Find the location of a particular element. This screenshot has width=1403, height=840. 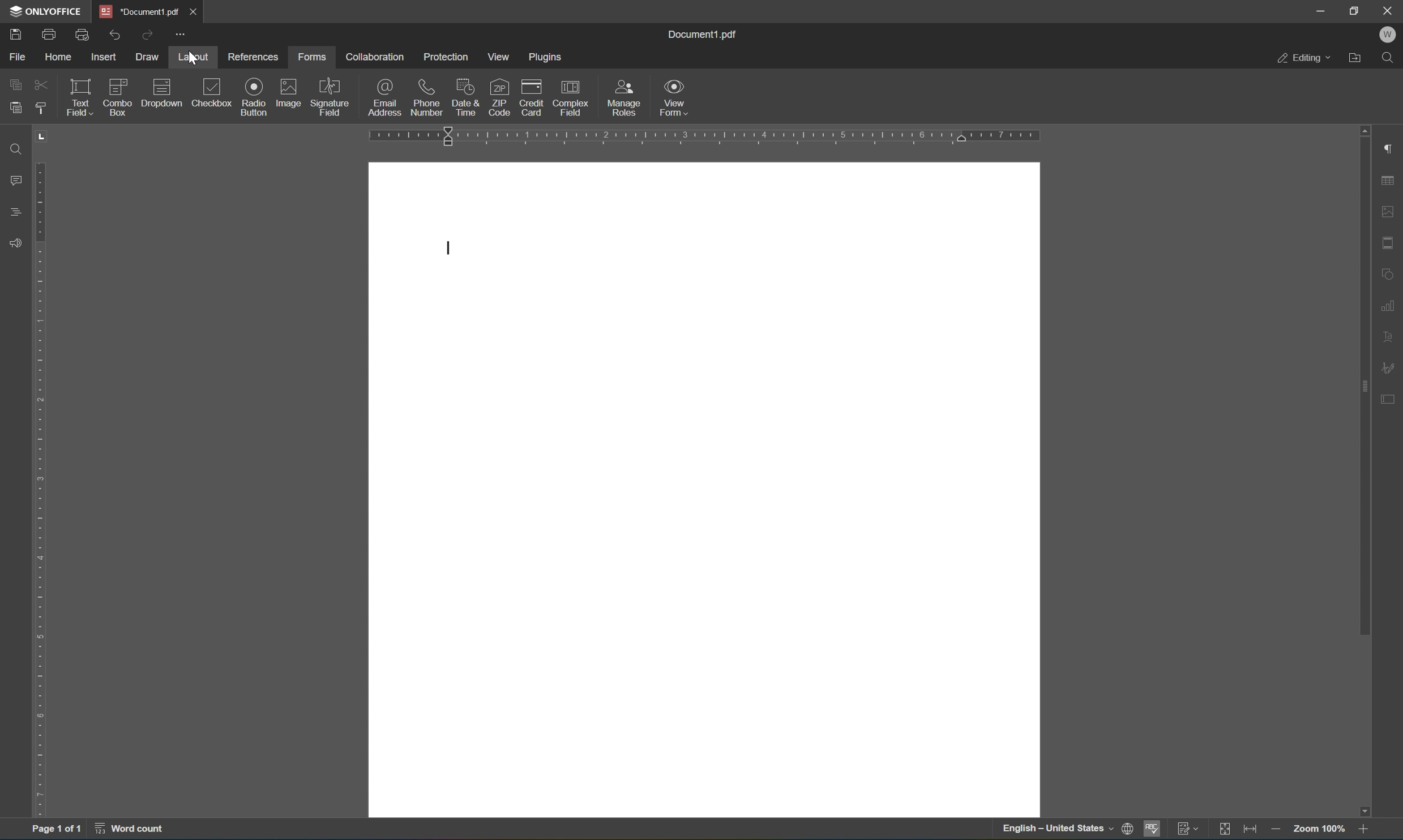

header & footer settings is located at coordinates (1389, 243).